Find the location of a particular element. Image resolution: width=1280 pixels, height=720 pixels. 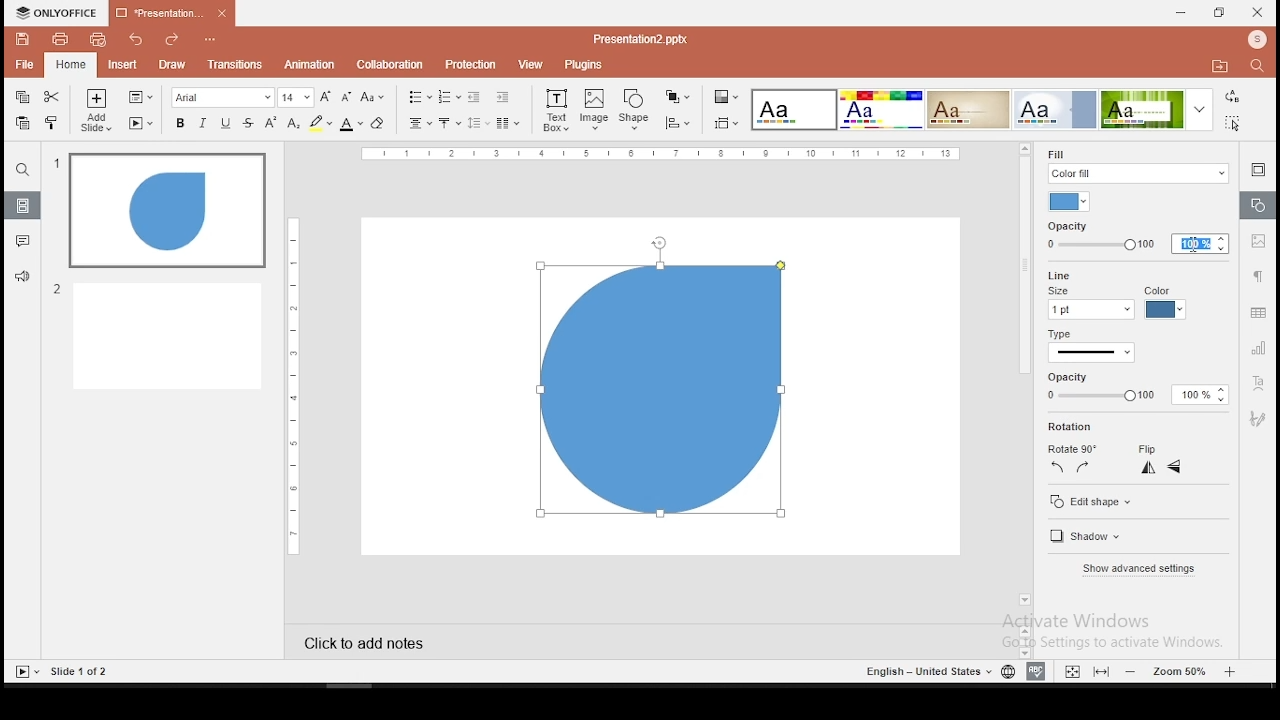

zoom level is located at coordinates (1181, 671).